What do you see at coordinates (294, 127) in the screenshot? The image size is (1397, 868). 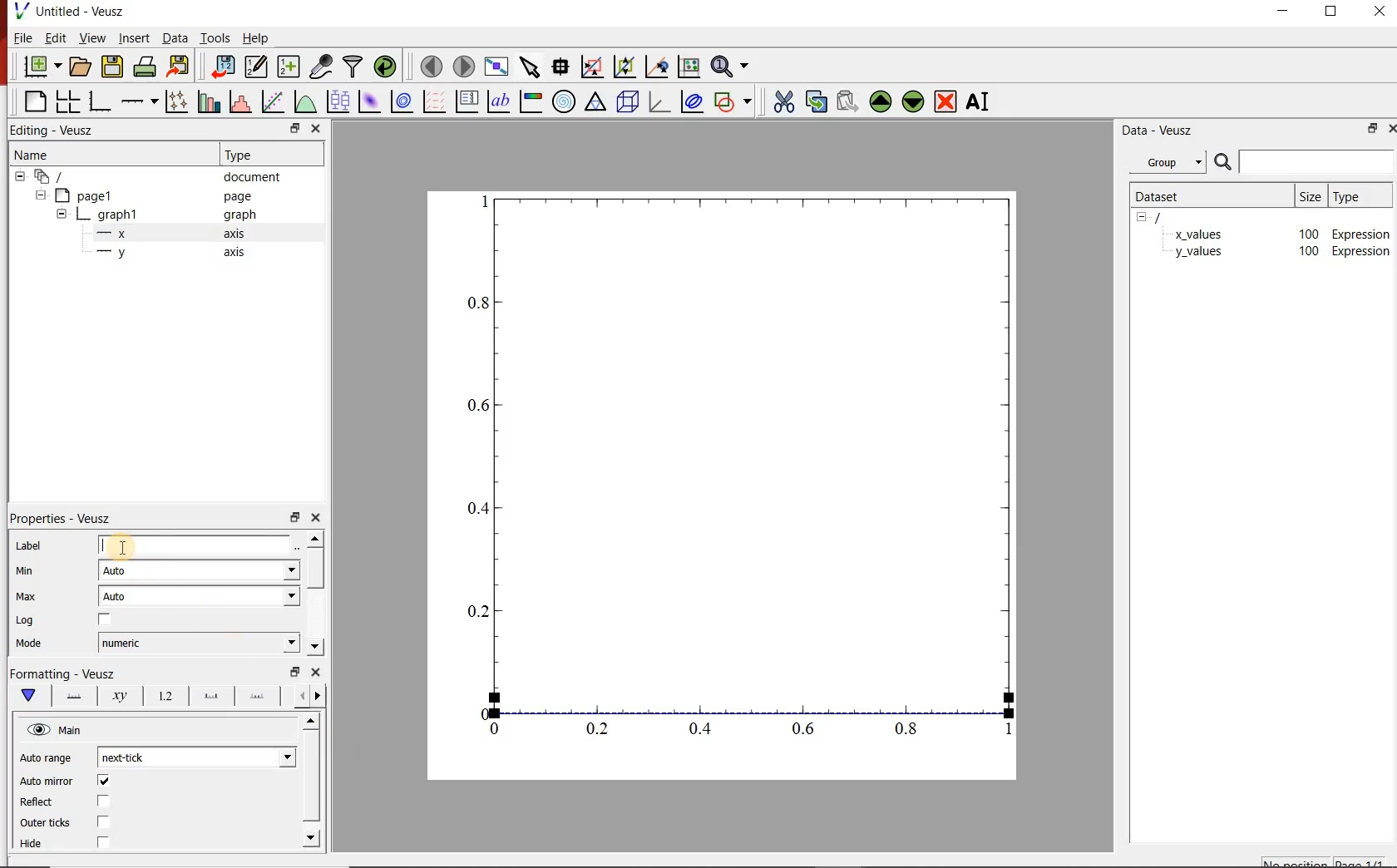 I see `restore down` at bounding box center [294, 127].